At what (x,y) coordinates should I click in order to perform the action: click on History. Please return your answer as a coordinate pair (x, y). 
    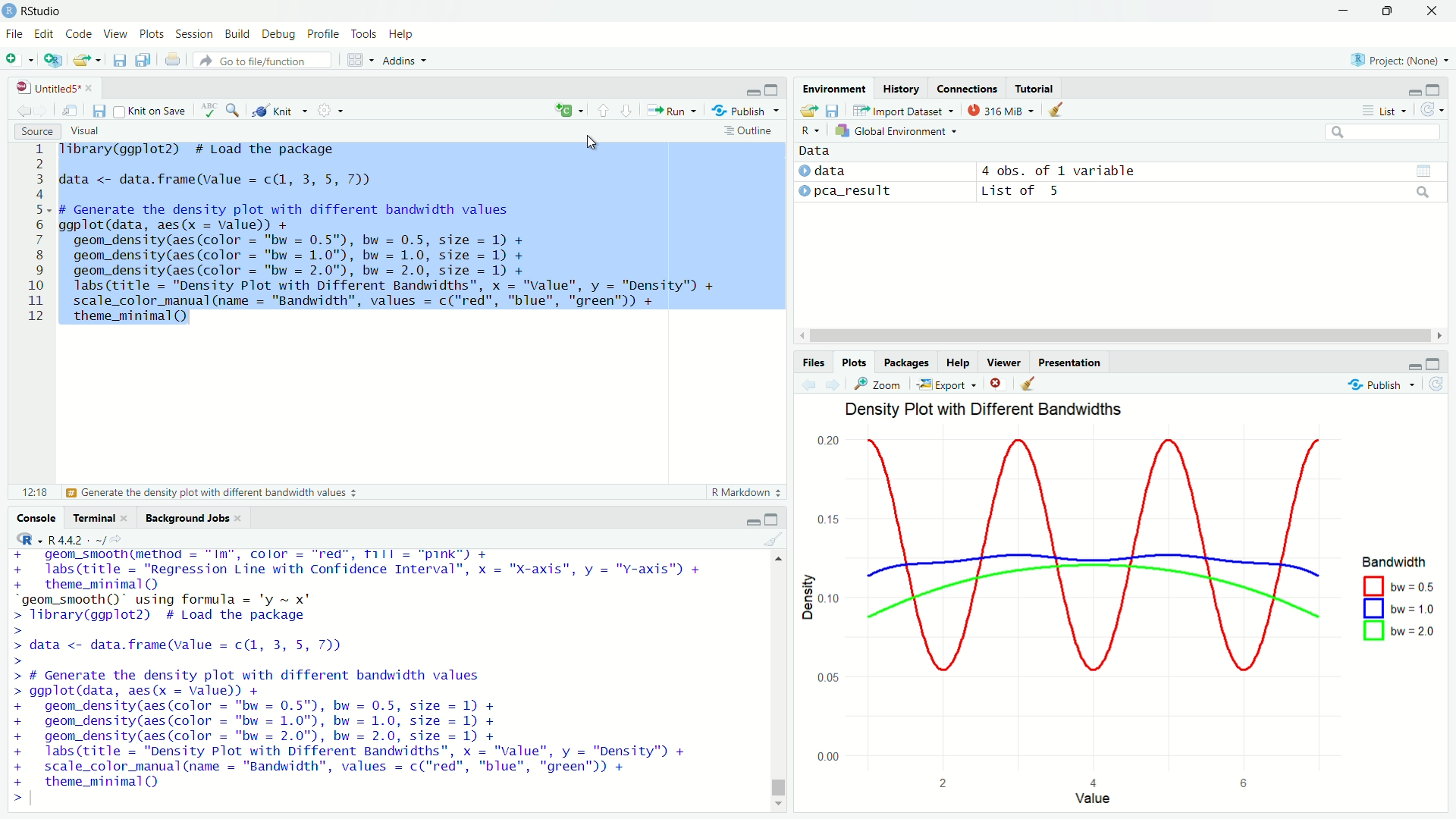
    Looking at the image, I should click on (901, 87).